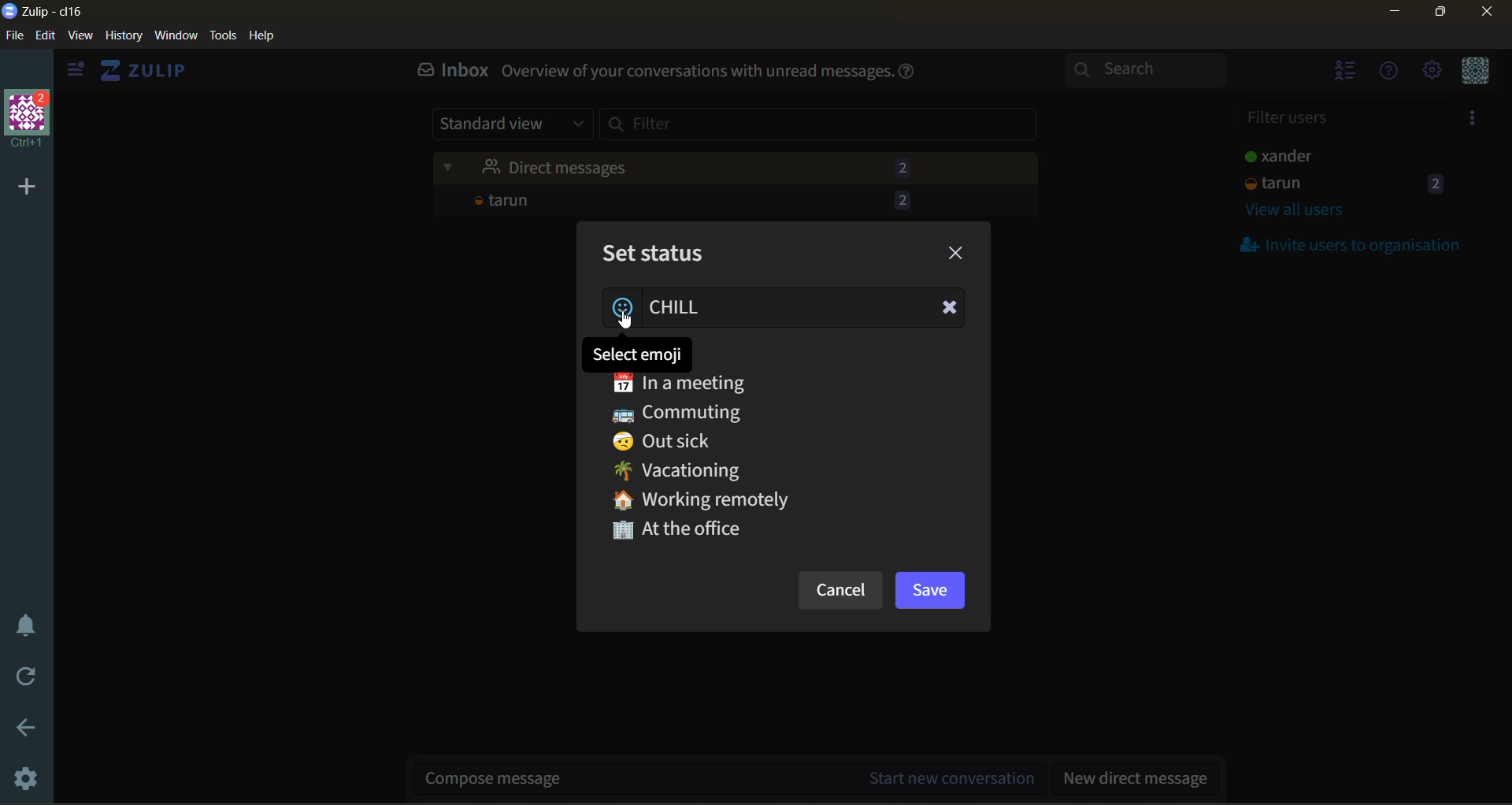  What do you see at coordinates (699, 469) in the screenshot?
I see `Vacationing` at bounding box center [699, 469].